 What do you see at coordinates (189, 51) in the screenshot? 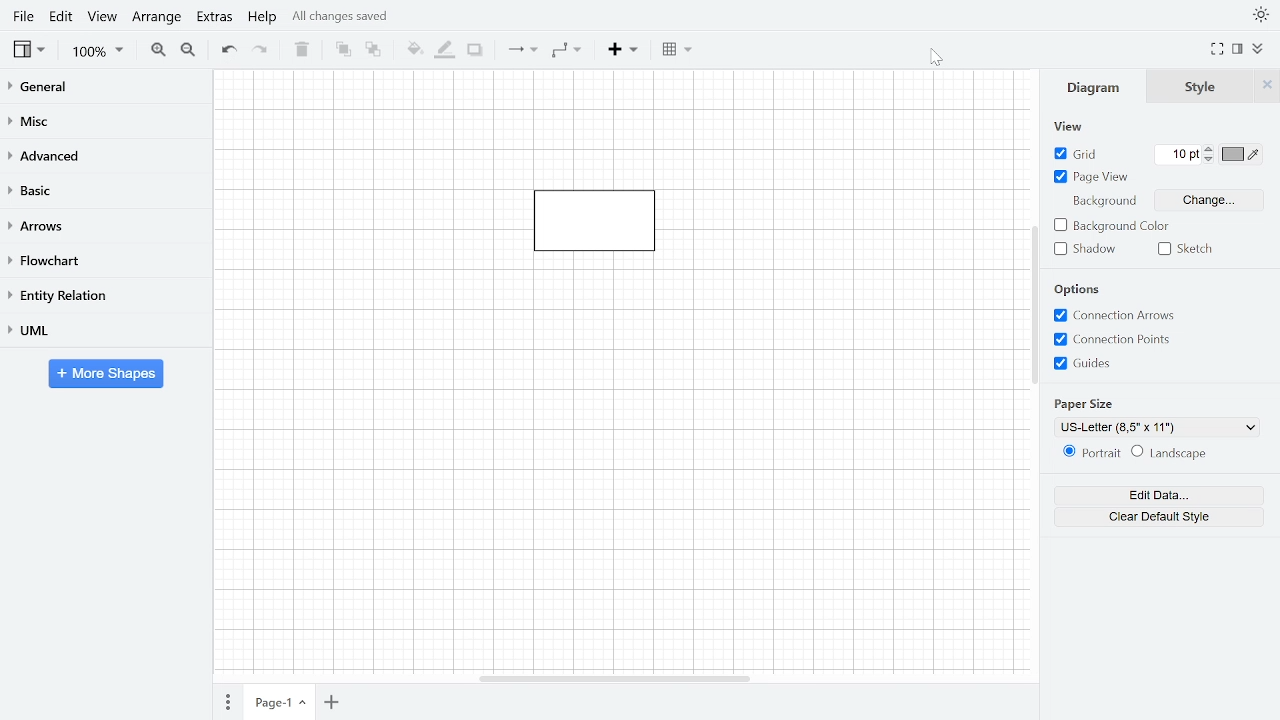
I see `Zoom out` at bounding box center [189, 51].